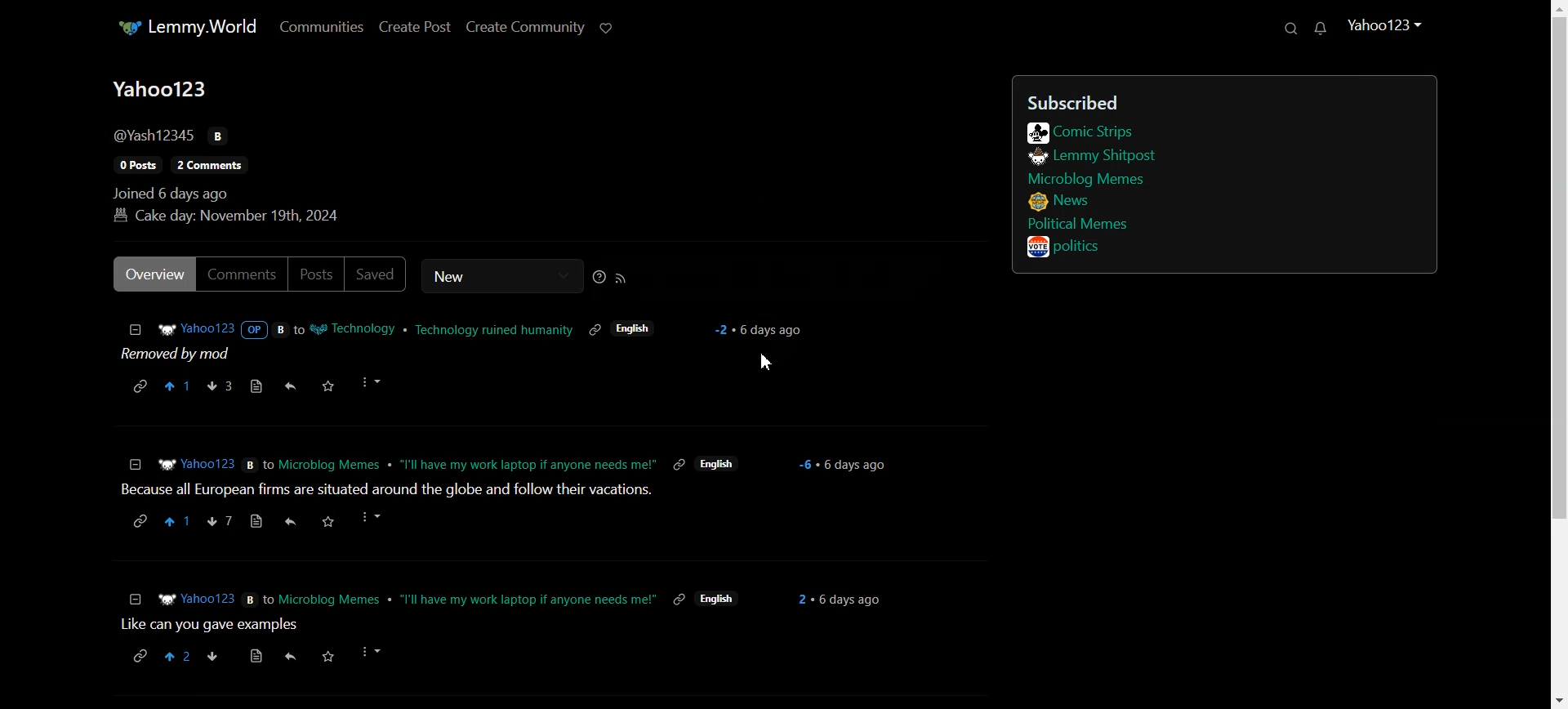 The width and height of the screenshot is (1568, 709). Describe the element at coordinates (255, 150) in the screenshot. I see `Text` at that location.